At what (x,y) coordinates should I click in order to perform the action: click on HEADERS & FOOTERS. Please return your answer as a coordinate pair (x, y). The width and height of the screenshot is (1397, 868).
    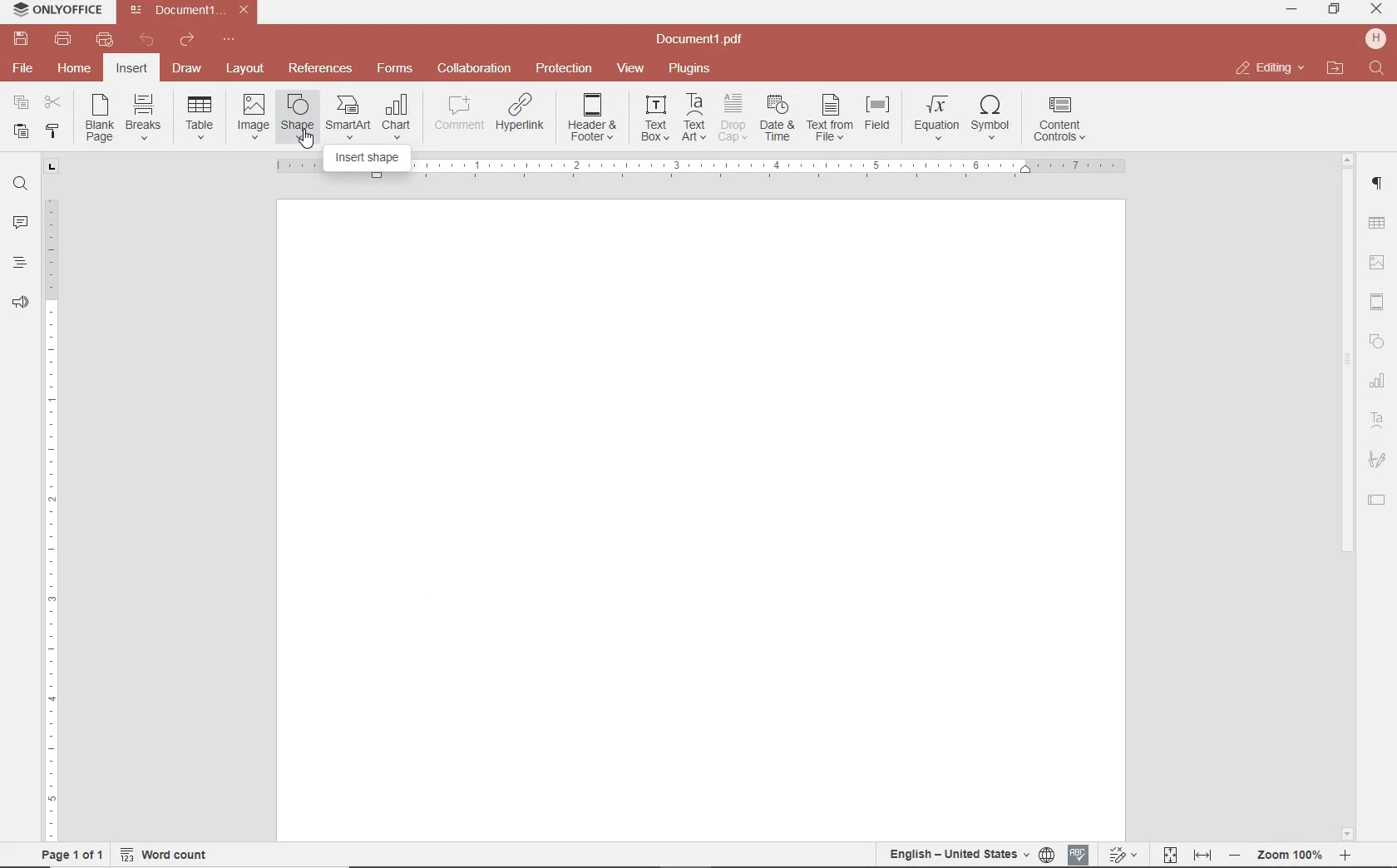
    Looking at the image, I should click on (1378, 303).